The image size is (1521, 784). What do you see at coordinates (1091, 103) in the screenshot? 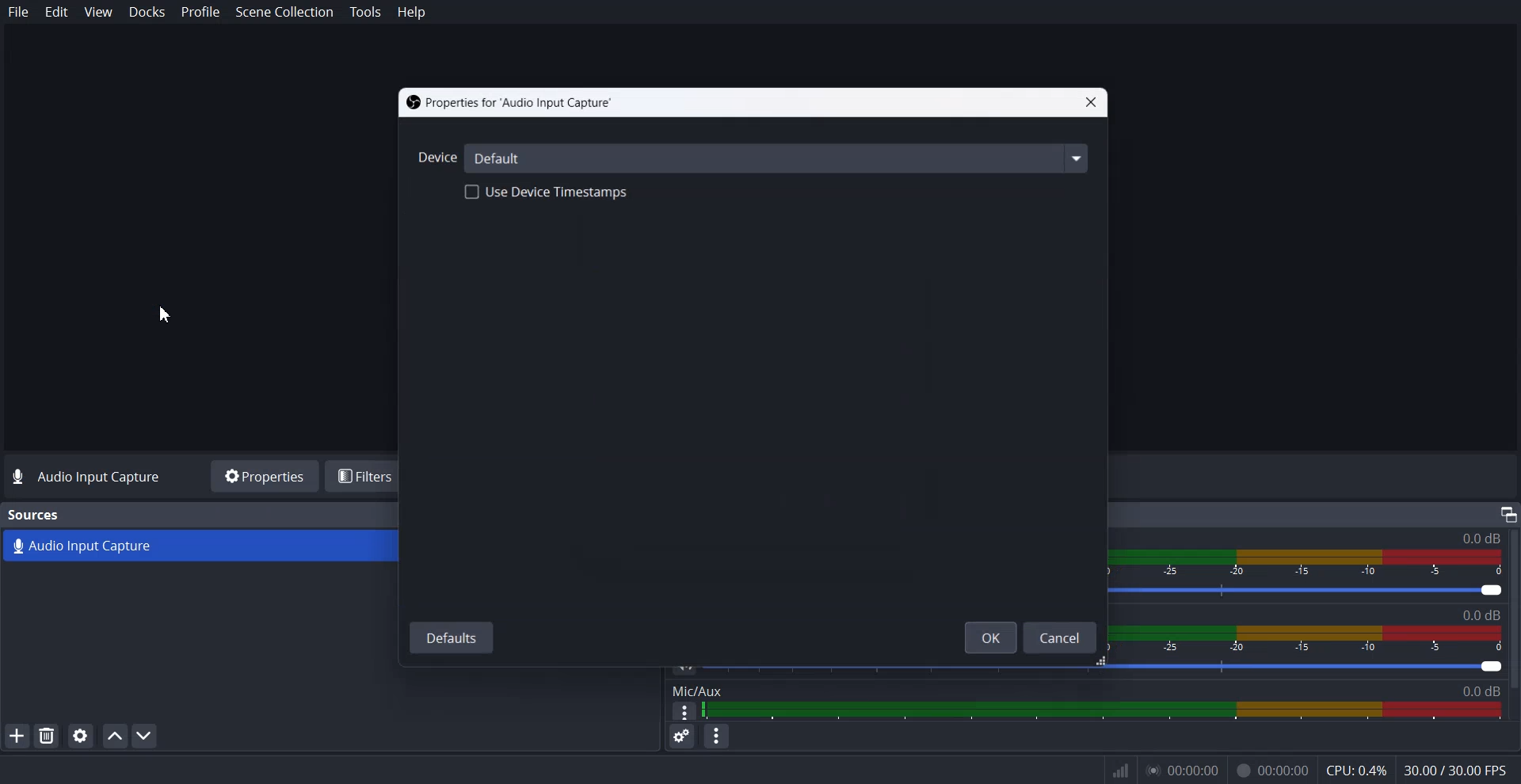
I see `Close` at bounding box center [1091, 103].